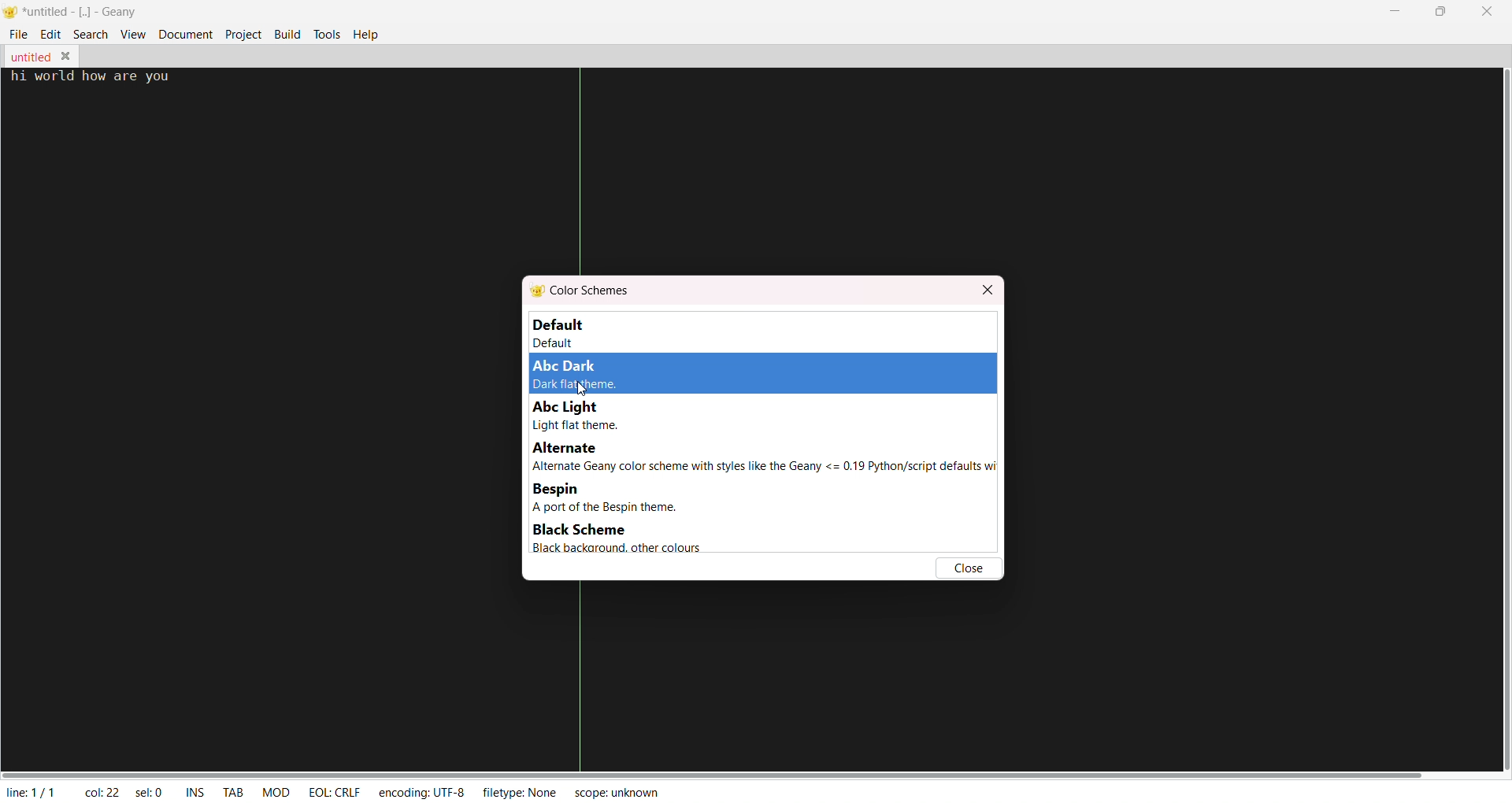 The height and width of the screenshot is (803, 1512). What do you see at coordinates (64, 54) in the screenshot?
I see `Close` at bounding box center [64, 54].